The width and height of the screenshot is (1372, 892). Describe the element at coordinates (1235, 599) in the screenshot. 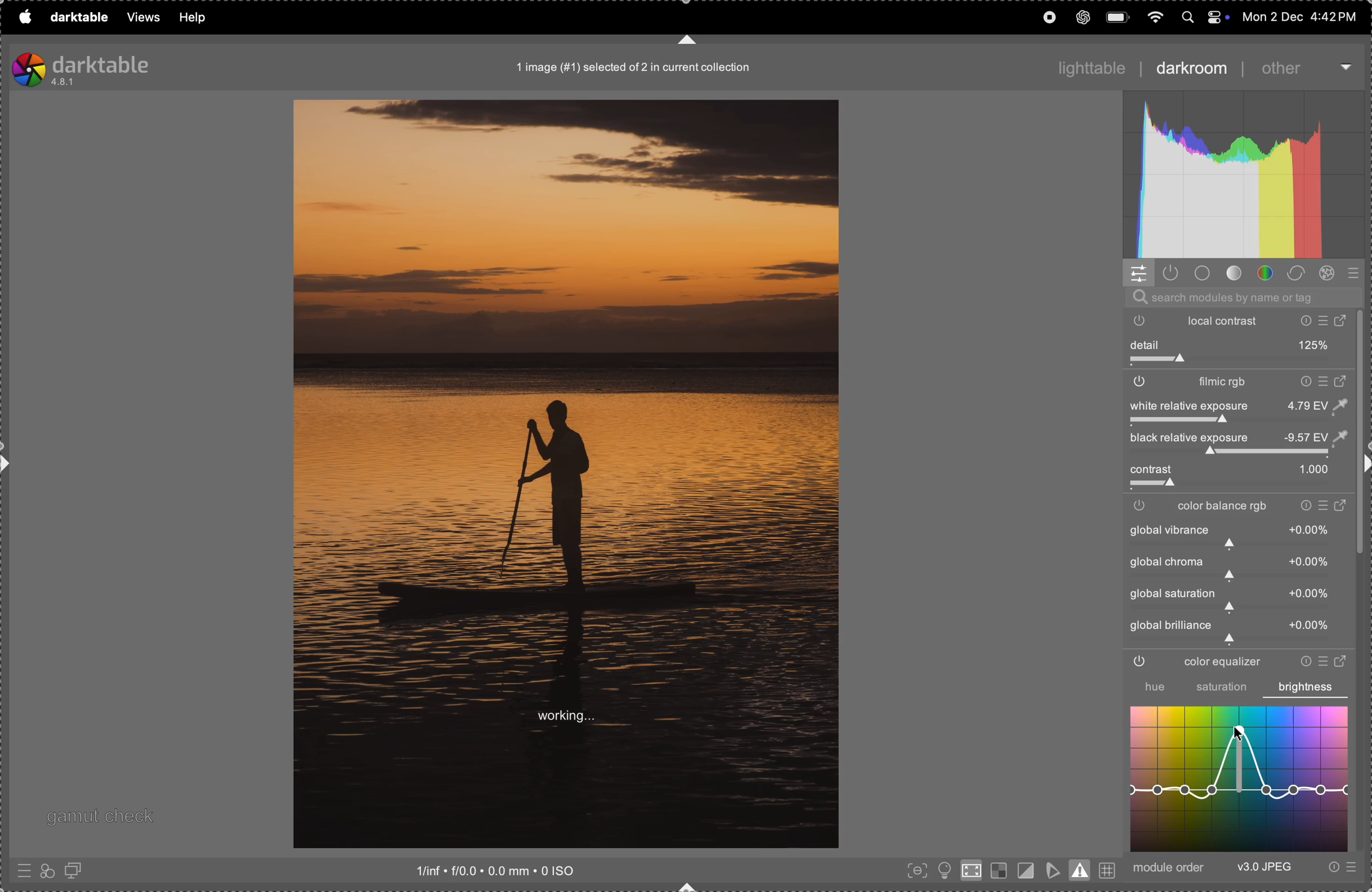

I see `global saturation` at that location.